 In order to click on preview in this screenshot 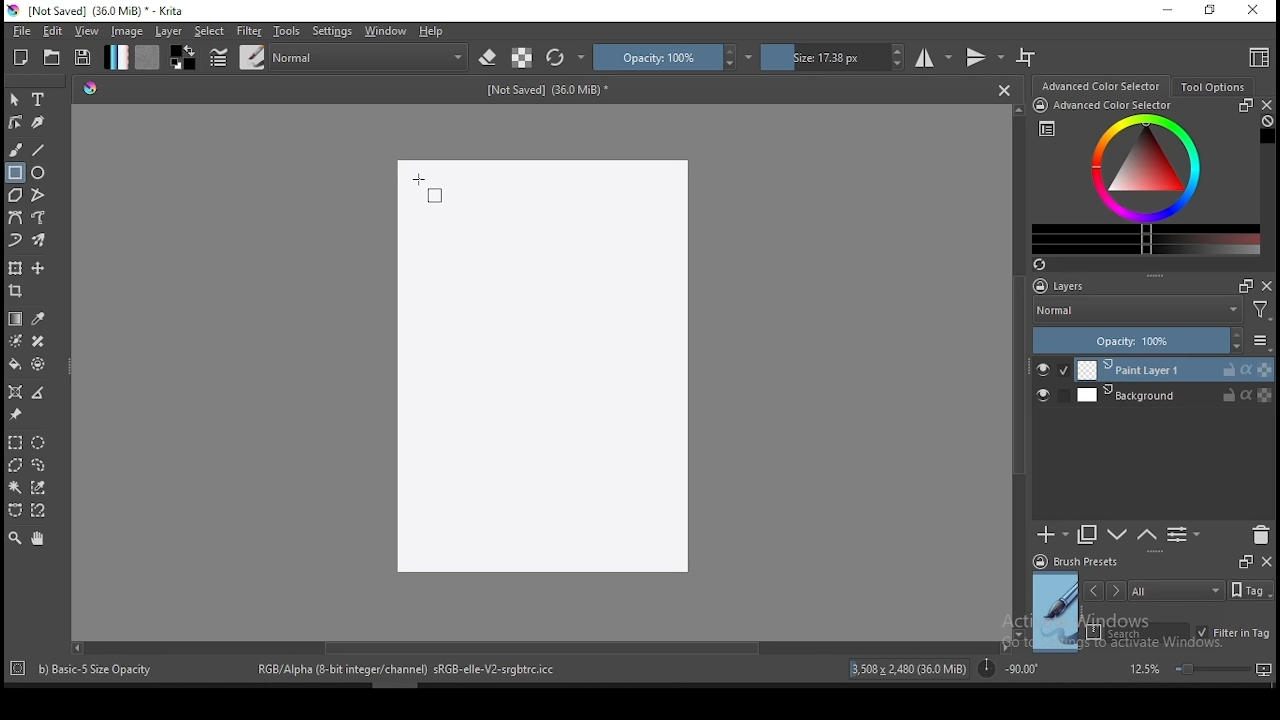, I will do `click(1056, 612)`.